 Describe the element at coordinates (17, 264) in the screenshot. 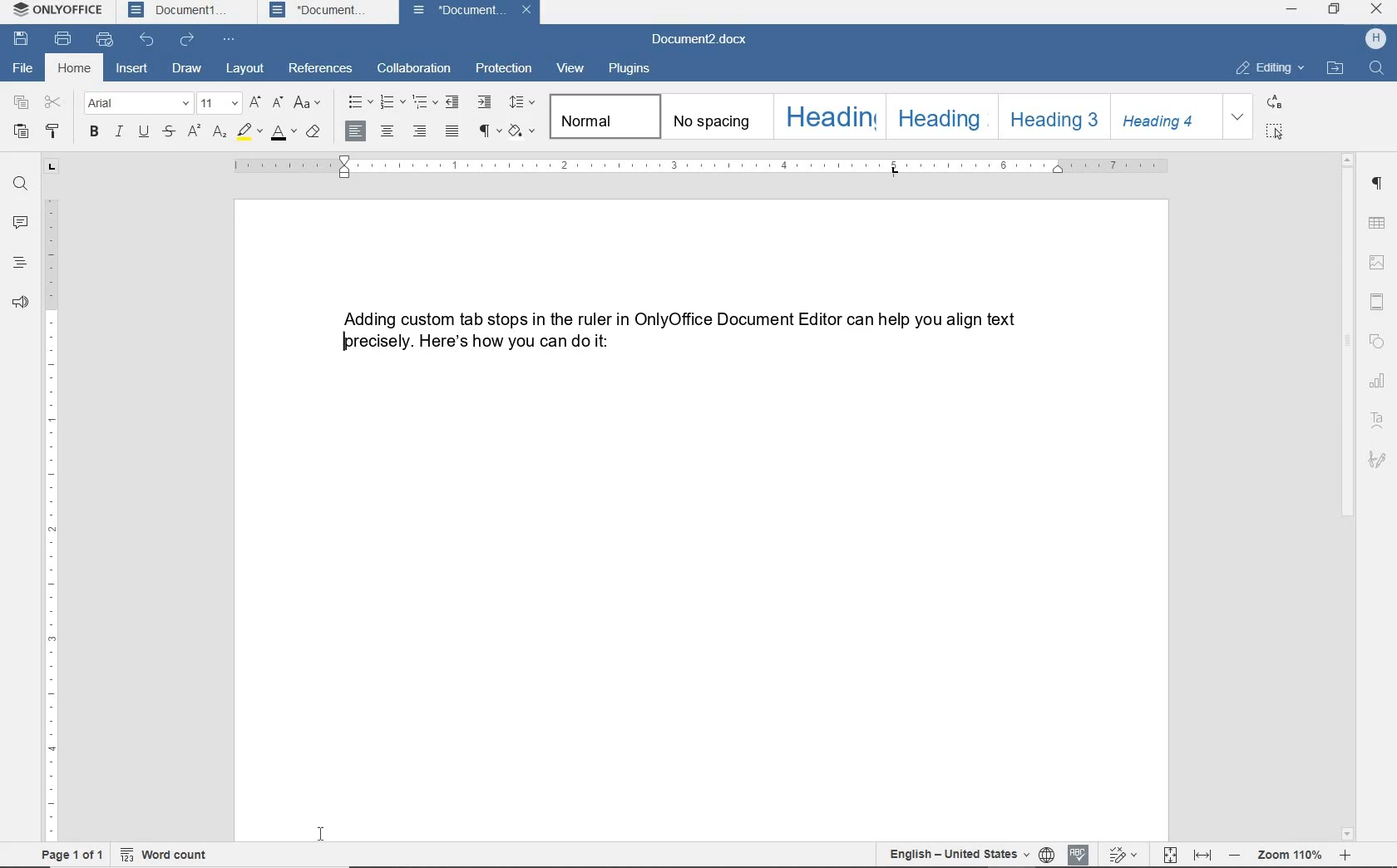

I see `headings` at that location.